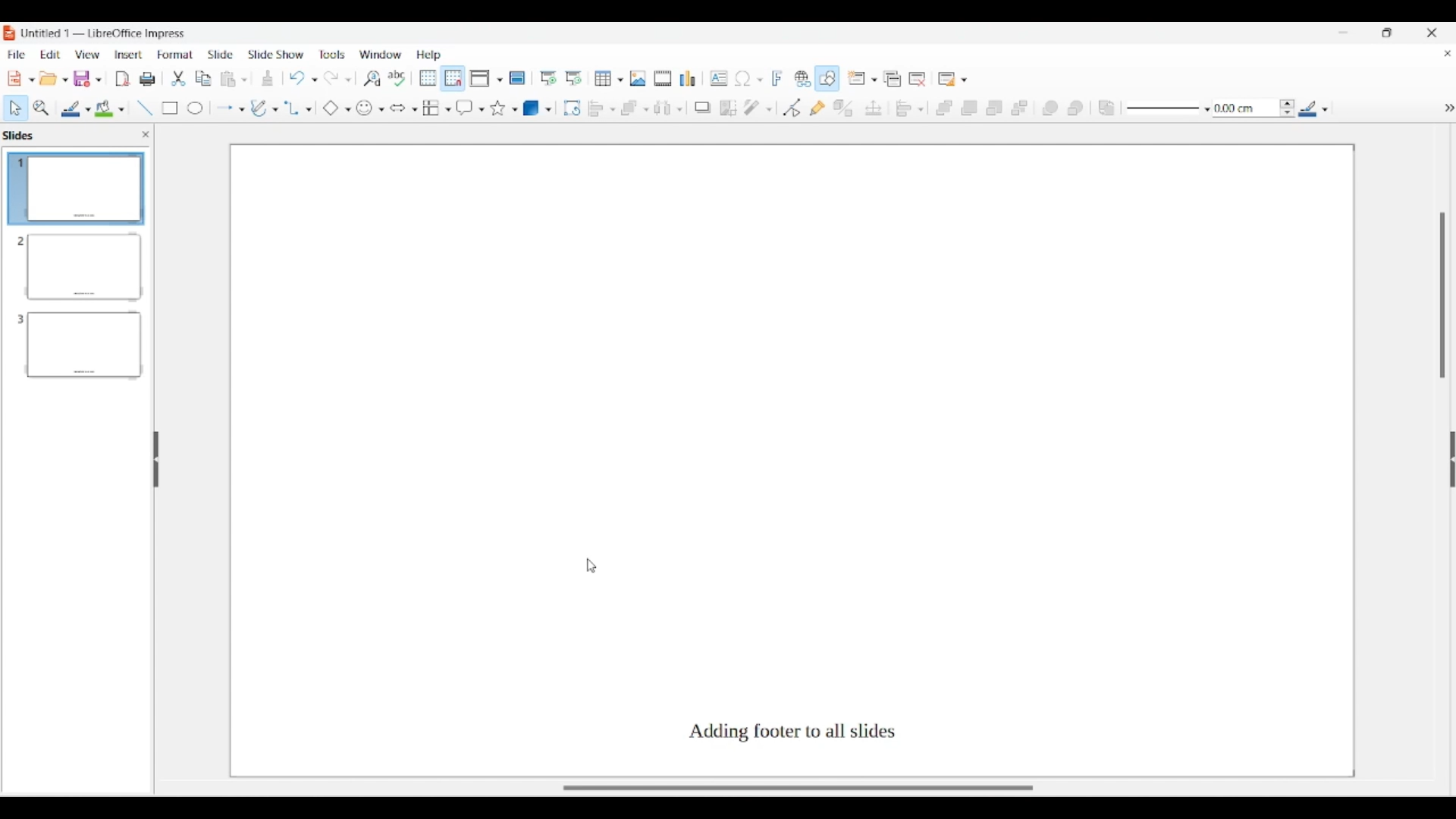 This screenshot has width=1456, height=819. Describe the element at coordinates (575, 78) in the screenshot. I see `Start from current slide` at that location.